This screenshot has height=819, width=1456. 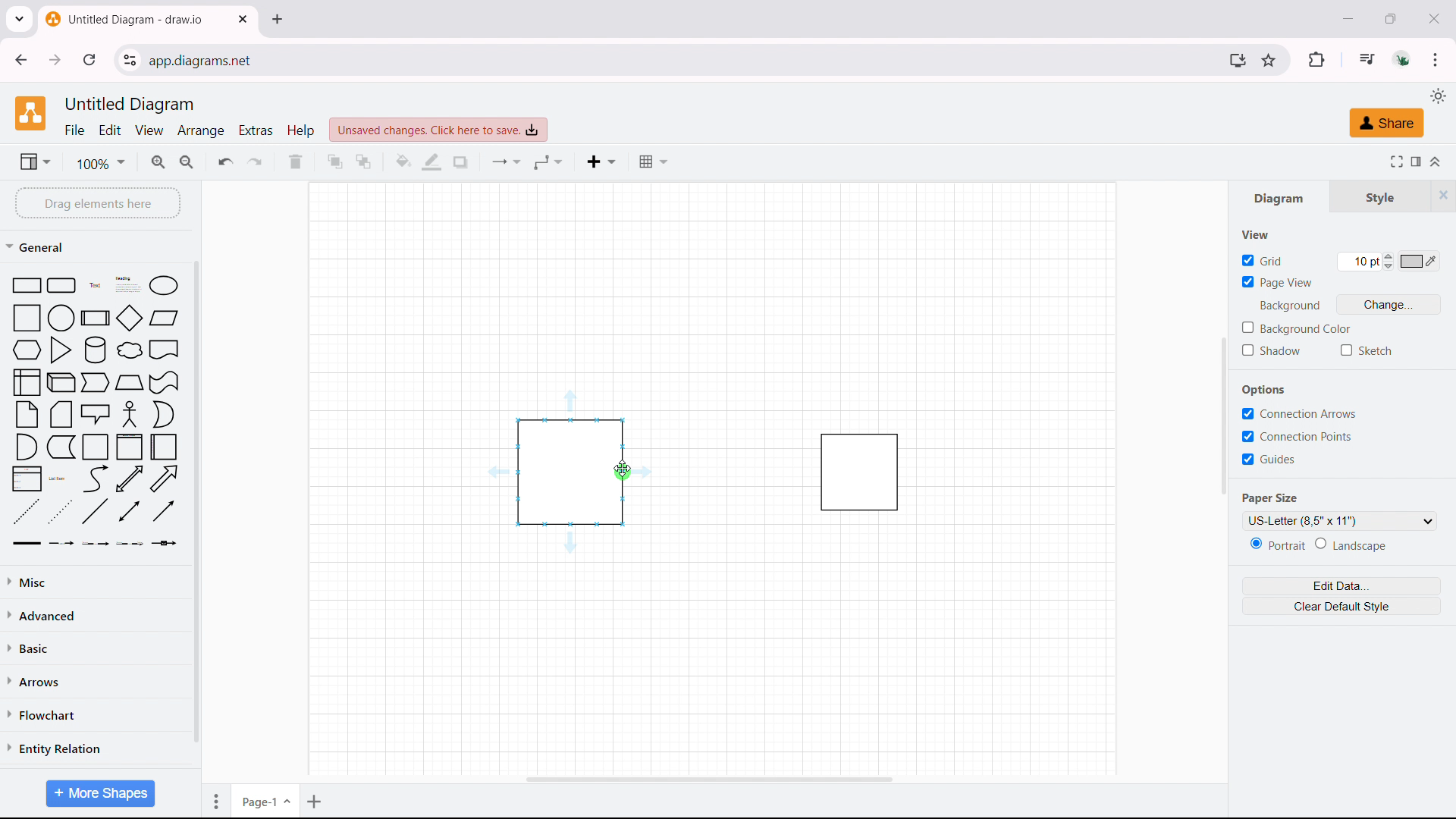 What do you see at coordinates (132, 105) in the screenshot?
I see `document title` at bounding box center [132, 105].